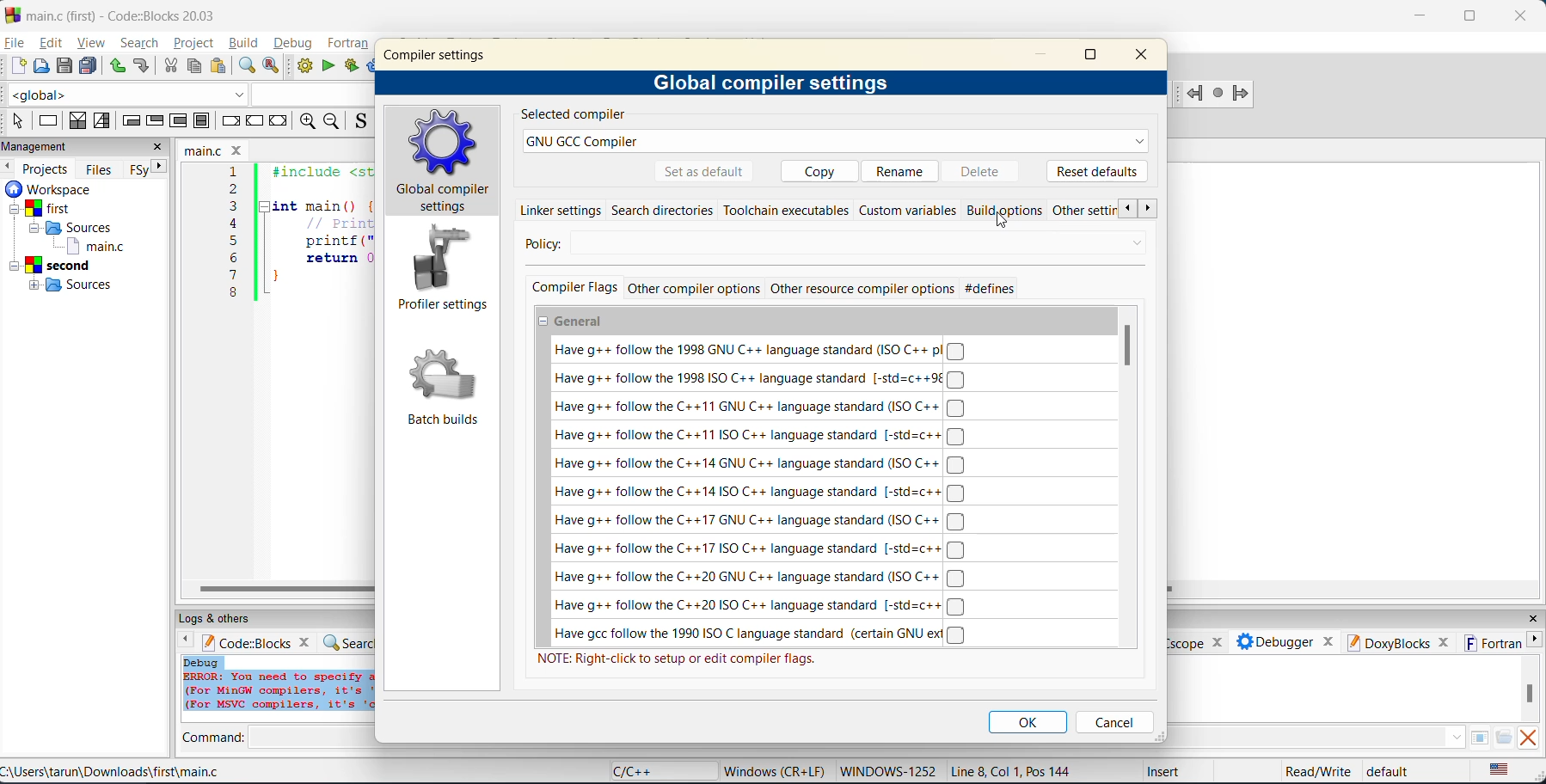  I want to click on next, so click(158, 169).